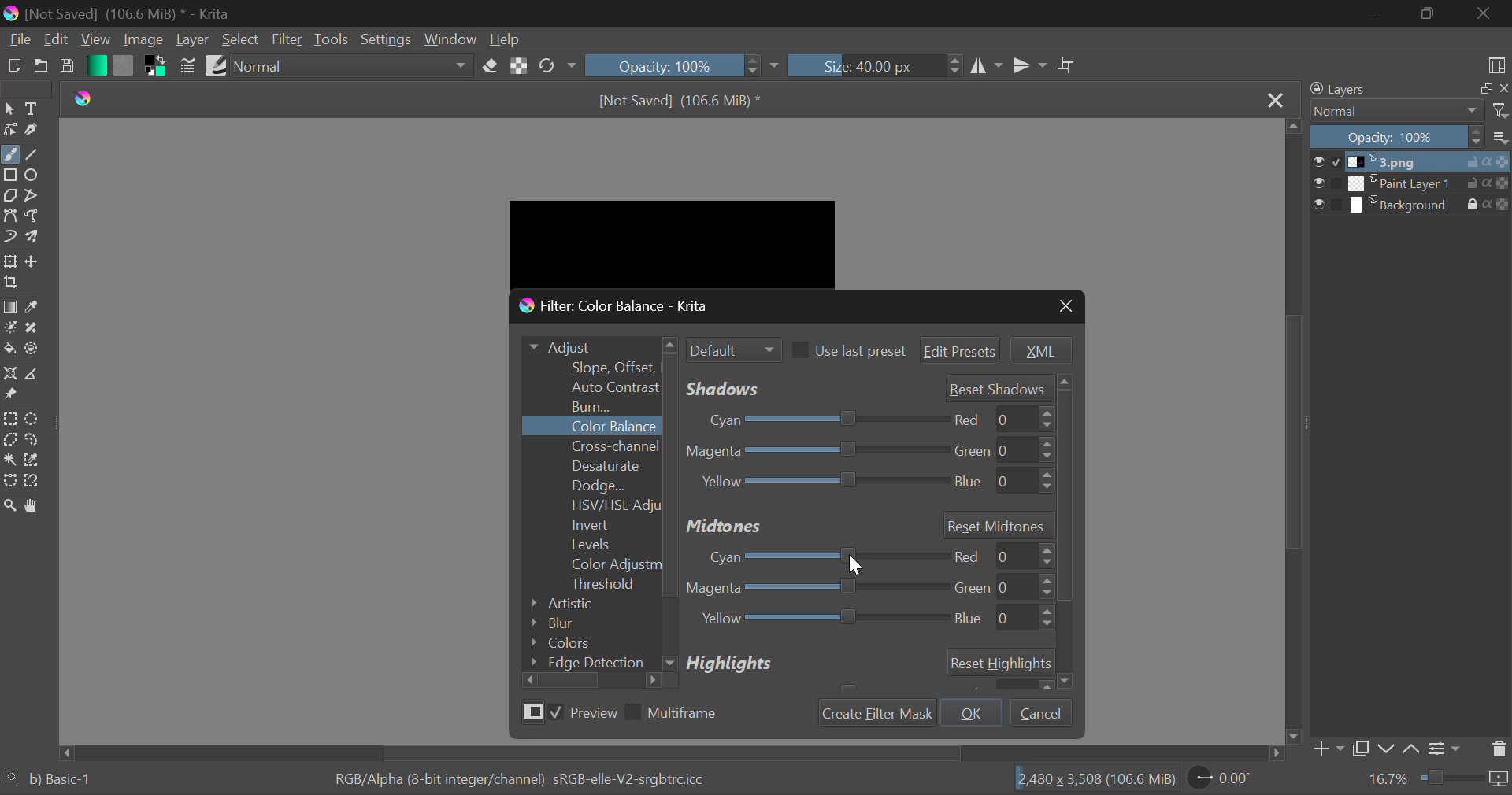  I want to click on Rectangle Selection, so click(9, 419).